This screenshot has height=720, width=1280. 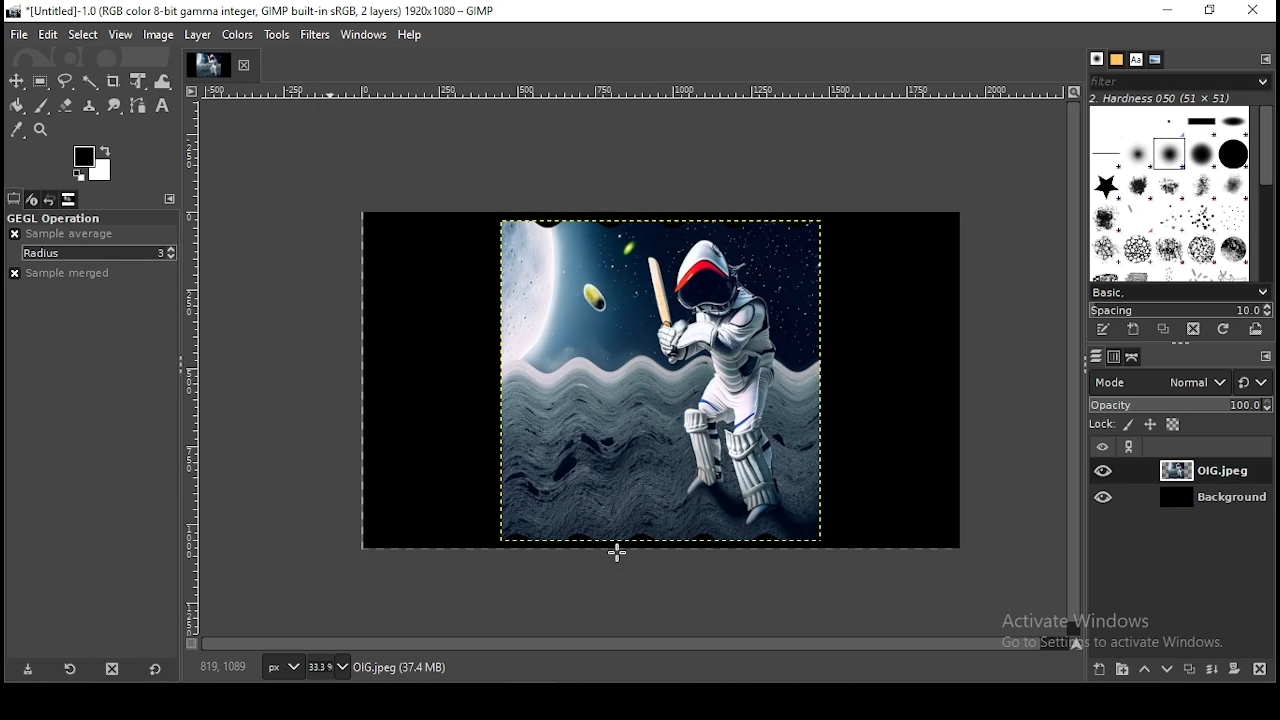 I want to click on create a new brush, so click(x=1134, y=330).